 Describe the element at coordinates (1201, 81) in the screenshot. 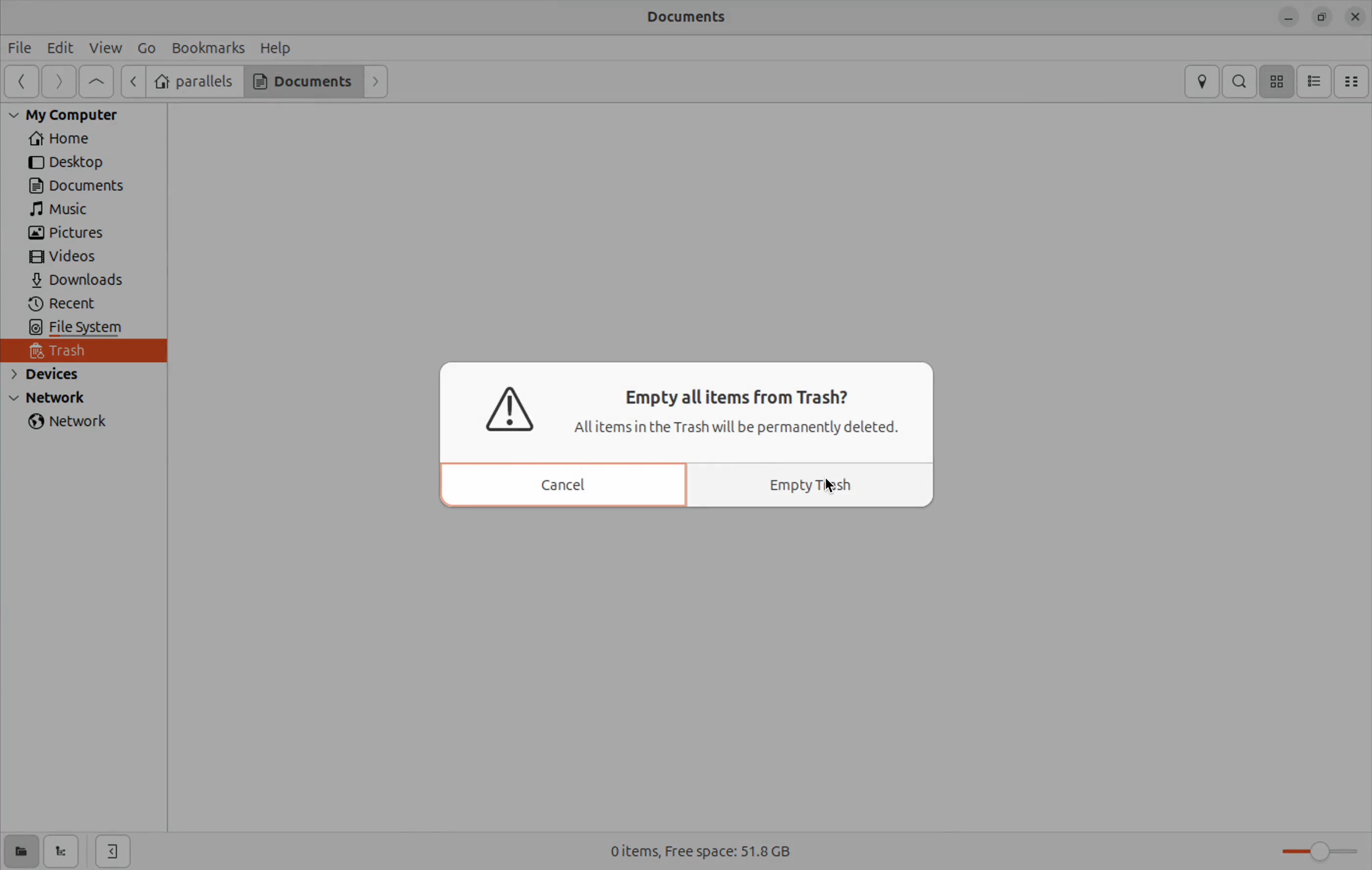

I see `location` at that location.